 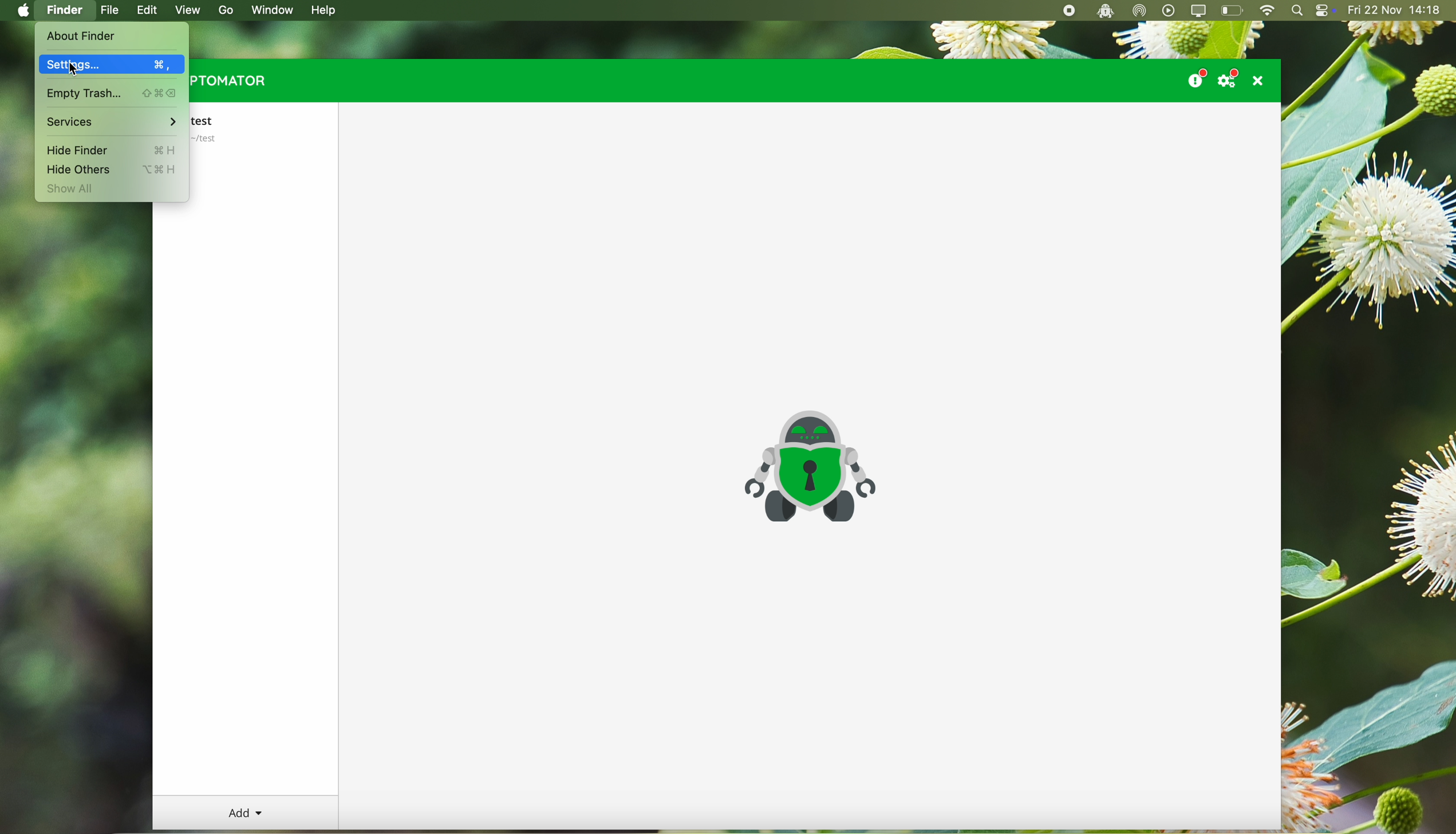 What do you see at coordinates (110, 11) in the screenshot?
I see `file` at bounding box center [110, 11].